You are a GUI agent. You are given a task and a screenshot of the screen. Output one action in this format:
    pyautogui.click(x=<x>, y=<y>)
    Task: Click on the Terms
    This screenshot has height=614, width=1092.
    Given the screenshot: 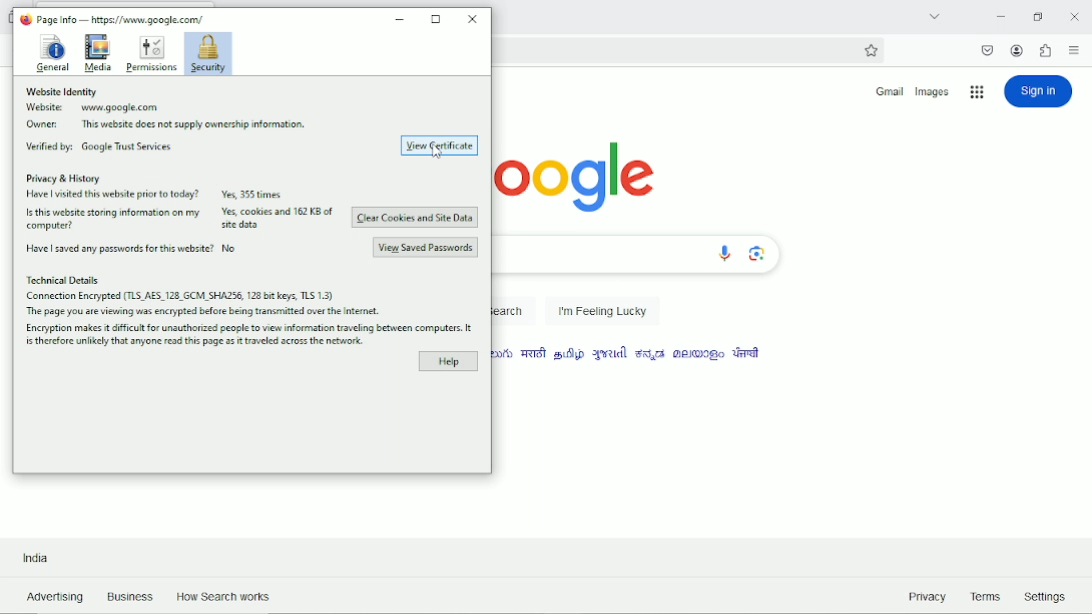 What is the action you would take?
    pyautogui.click(x=987, y=596)
    